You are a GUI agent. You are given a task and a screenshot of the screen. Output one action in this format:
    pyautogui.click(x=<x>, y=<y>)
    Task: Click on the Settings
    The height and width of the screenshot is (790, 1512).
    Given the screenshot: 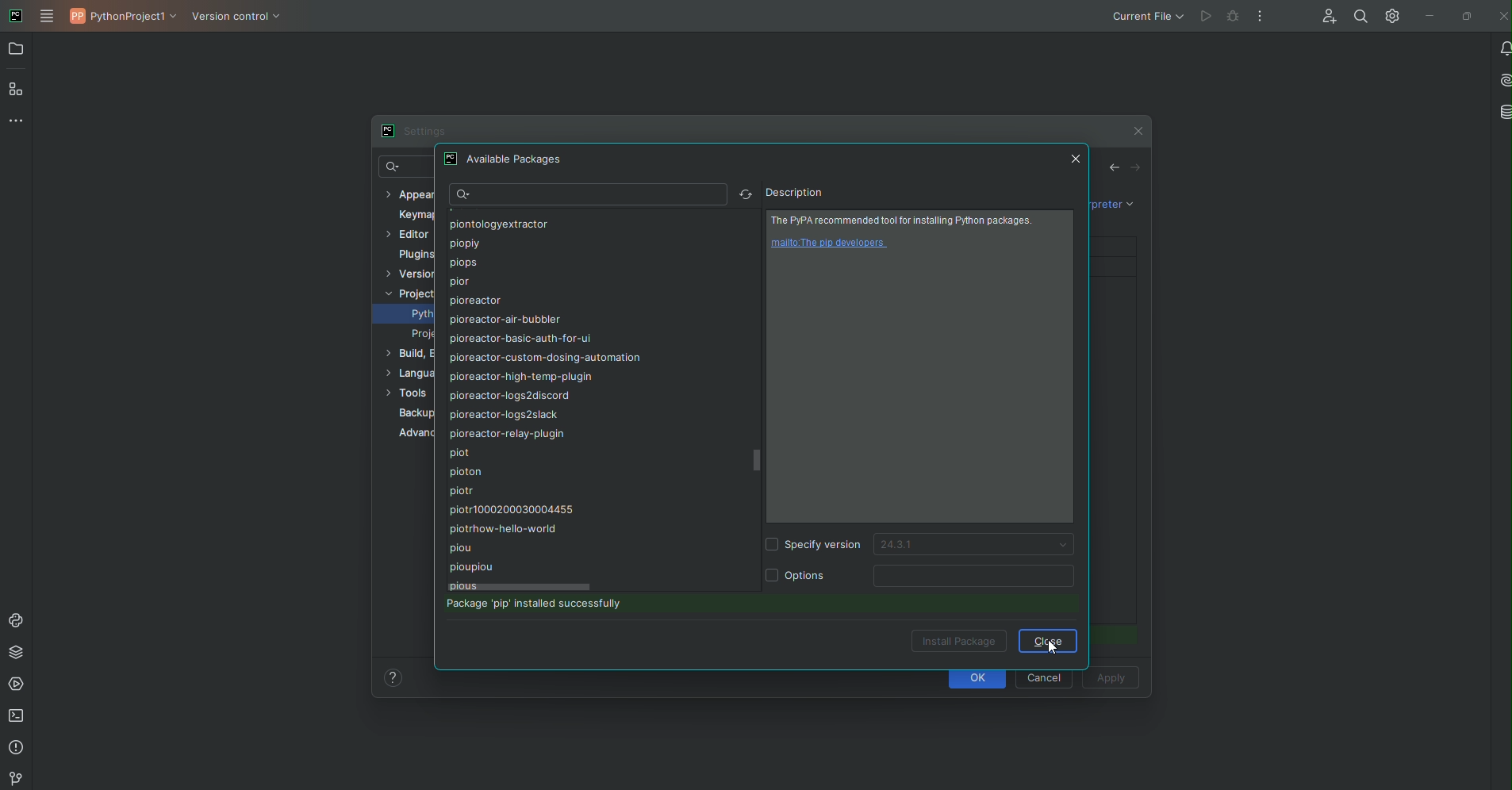 What is the action you would take?
    pyautogui.click(x=1391, y=17)
    